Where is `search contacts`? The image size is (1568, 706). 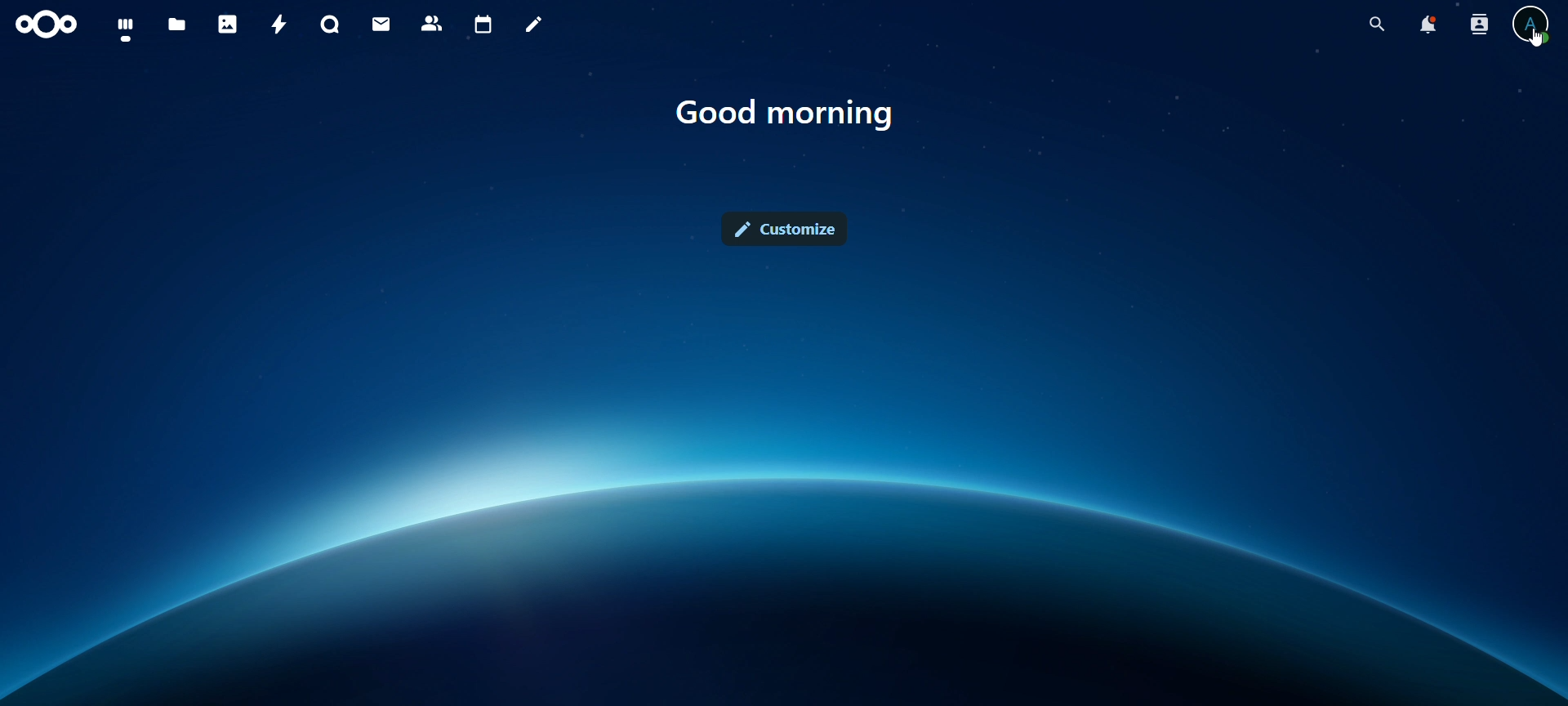 search contacts is located at coordinates (1483, 25).